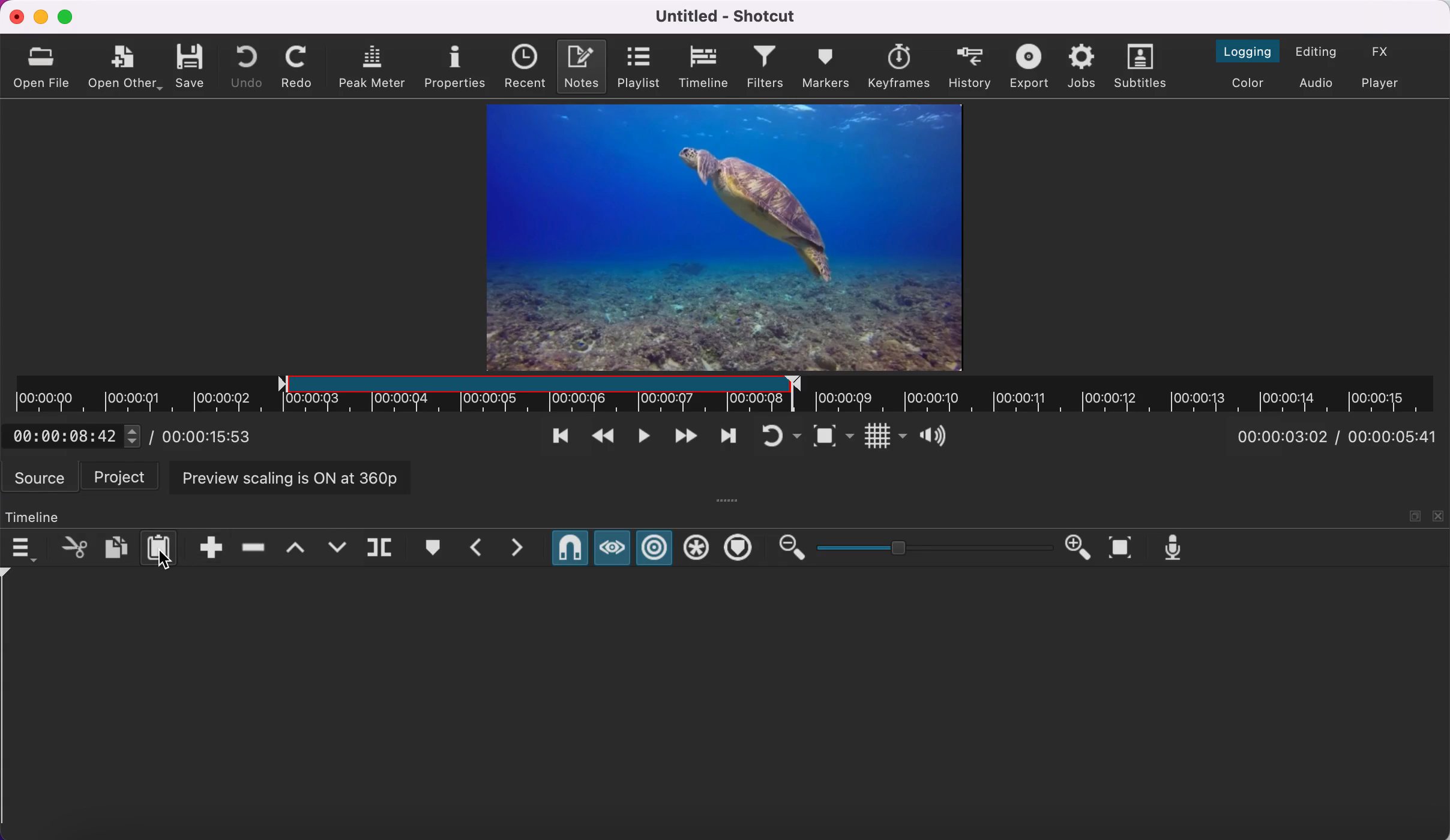 The image size is (1450, 840). What do you see at coordinates (194, 64) in the screenshot?
I see `save` at bounding box center [194, 64].